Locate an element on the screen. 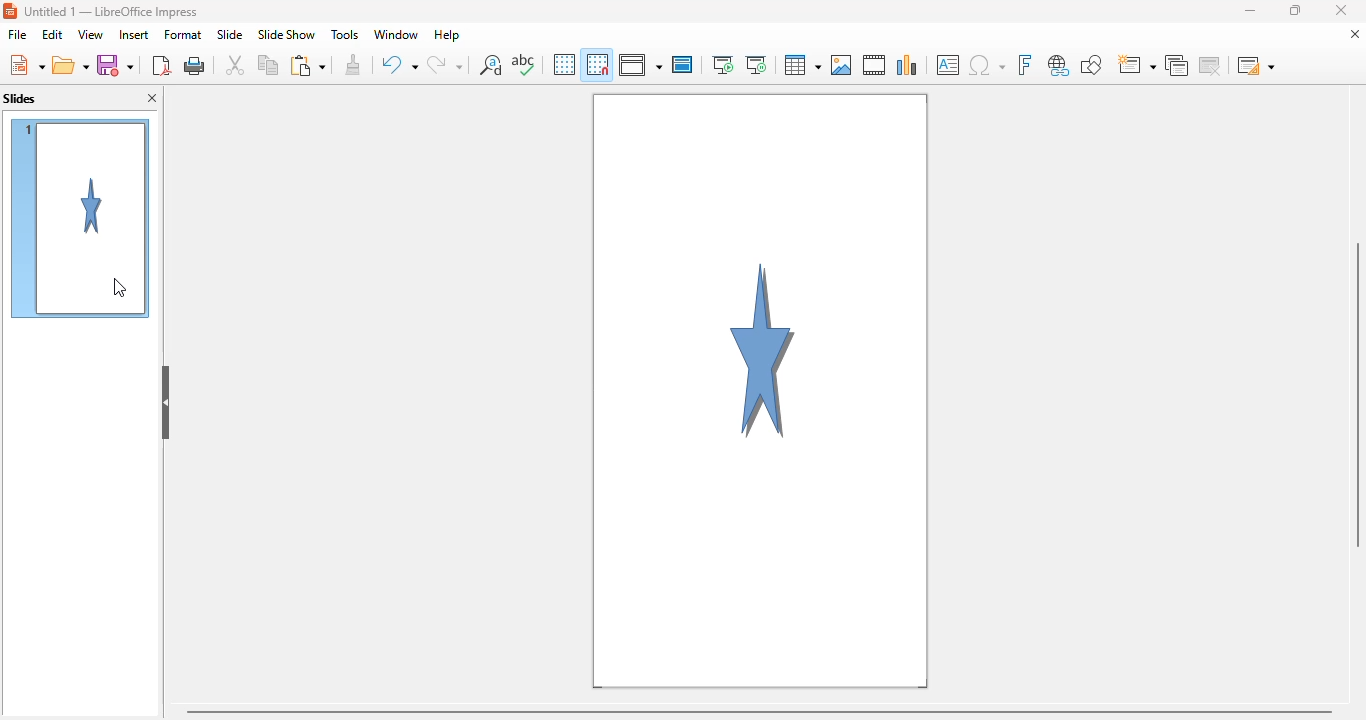 The width and height of the screenshot is (1366, 720). close is located at coordinates (1341, 10).